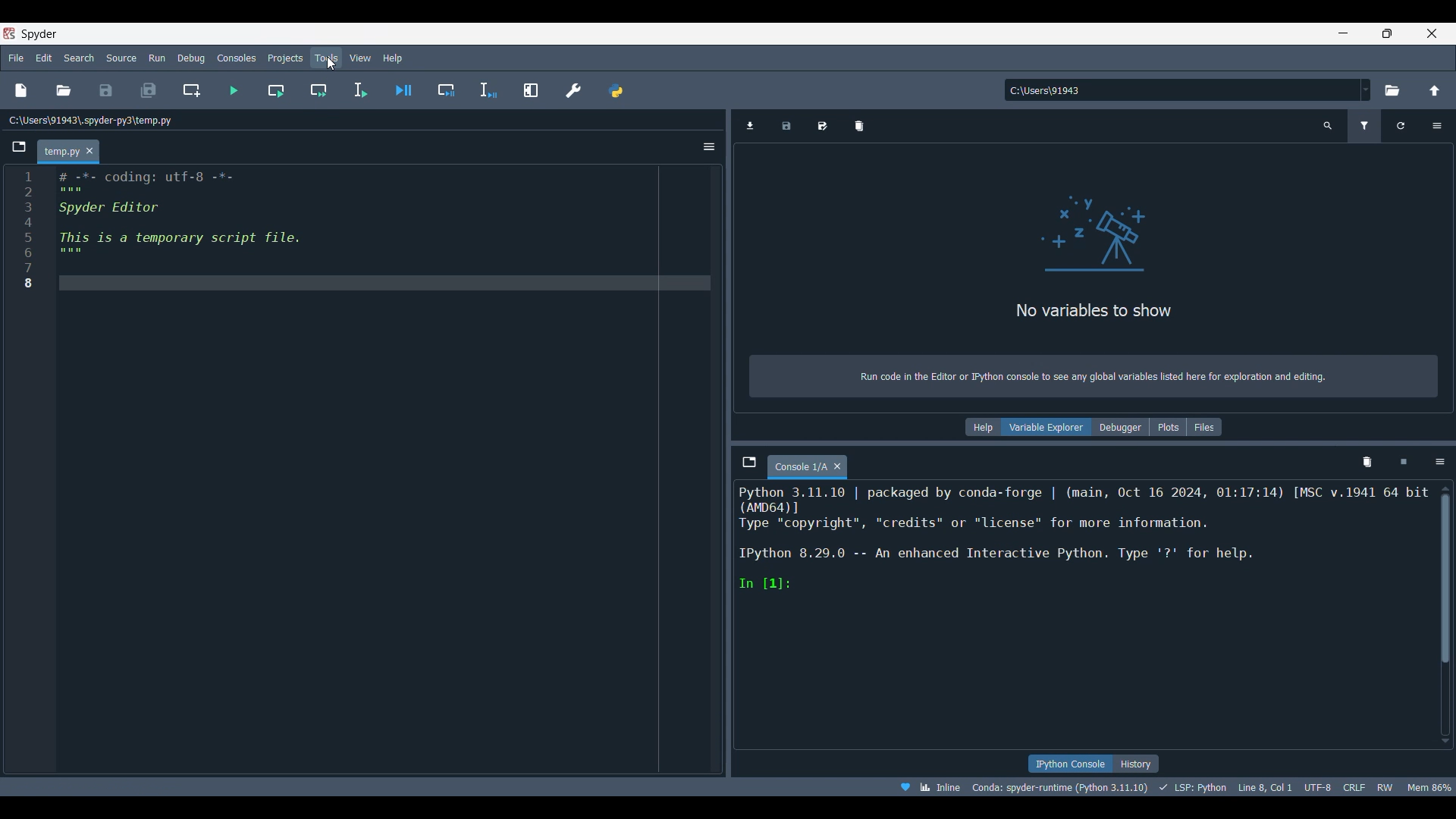 The image size is (1456, 819). What do you see at coordinates (1386, 786) in the screenshot?
I see `rw` at bounding box center [1386, 786].